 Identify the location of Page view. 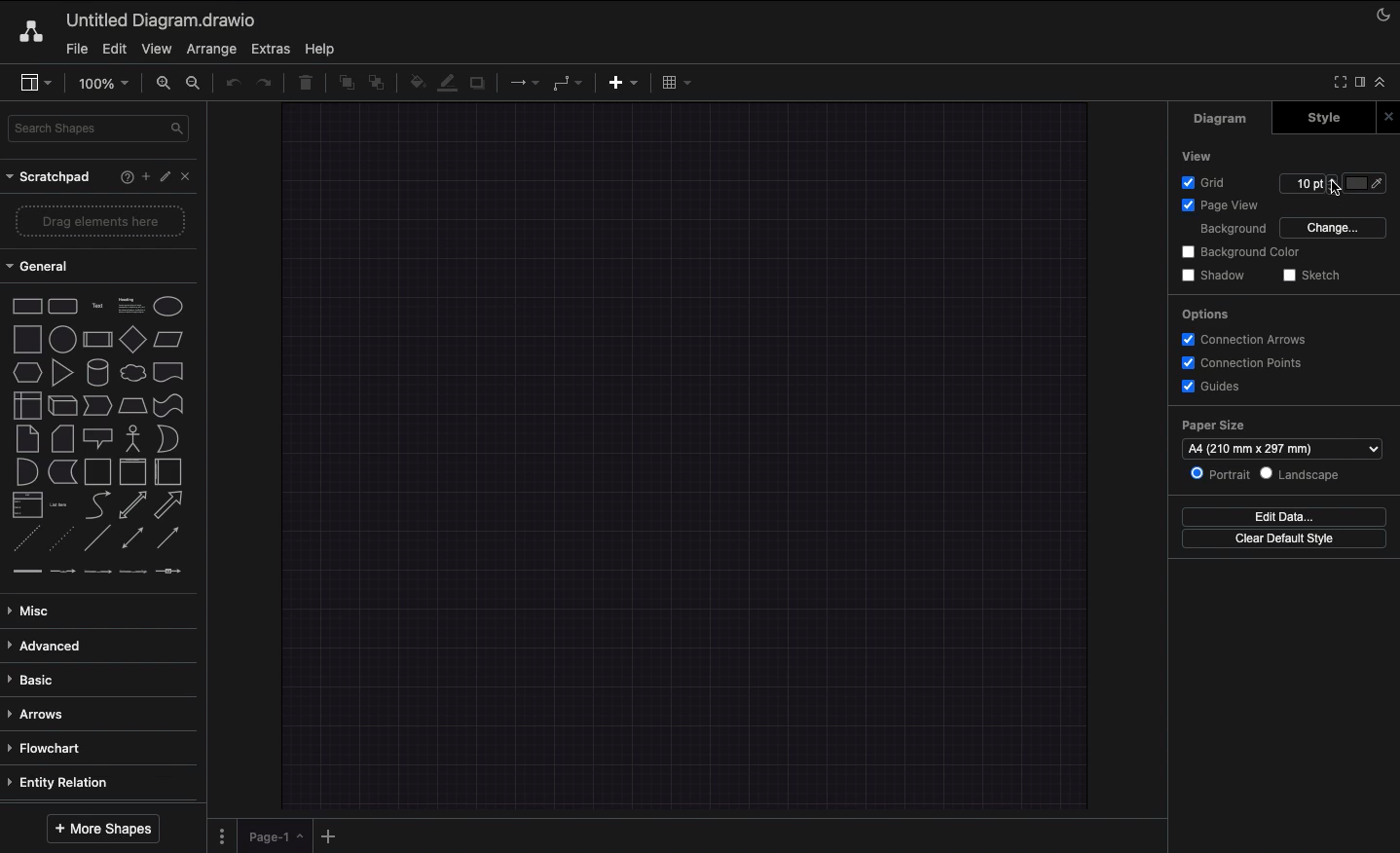
(1221, 206).